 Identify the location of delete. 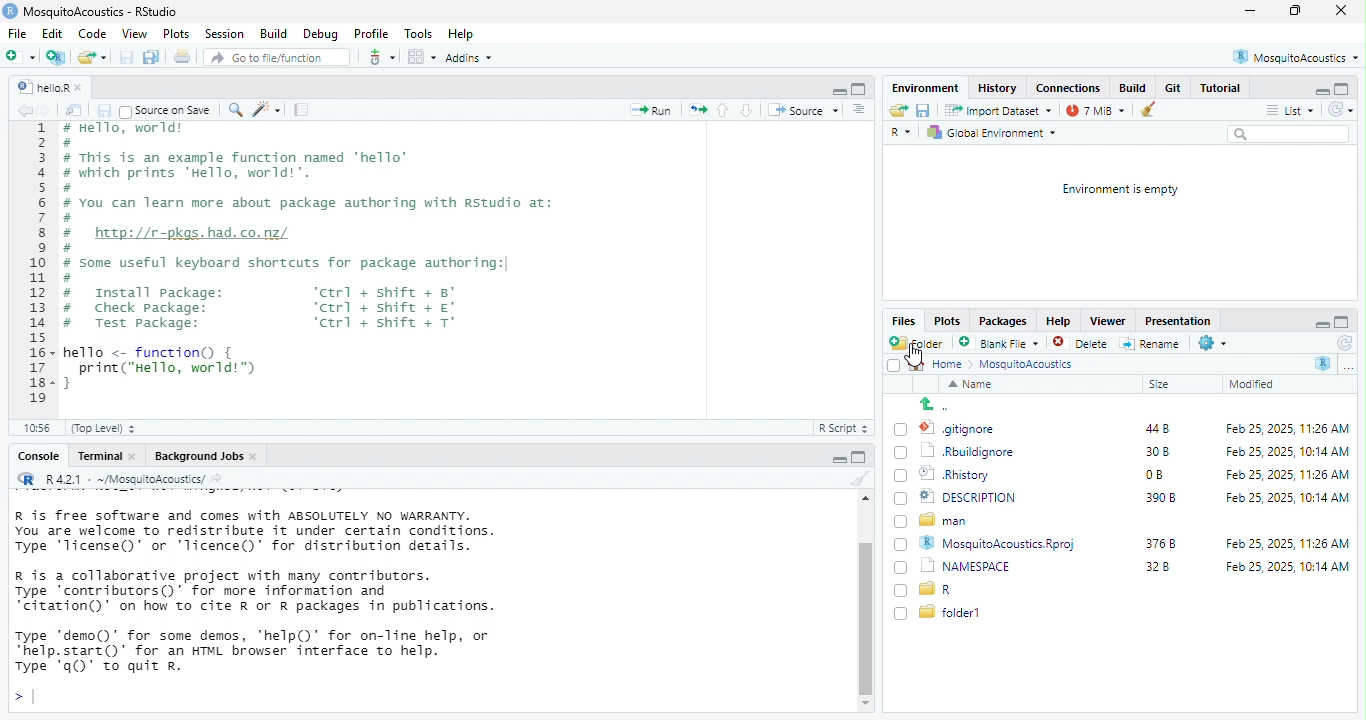
(1083, 344).